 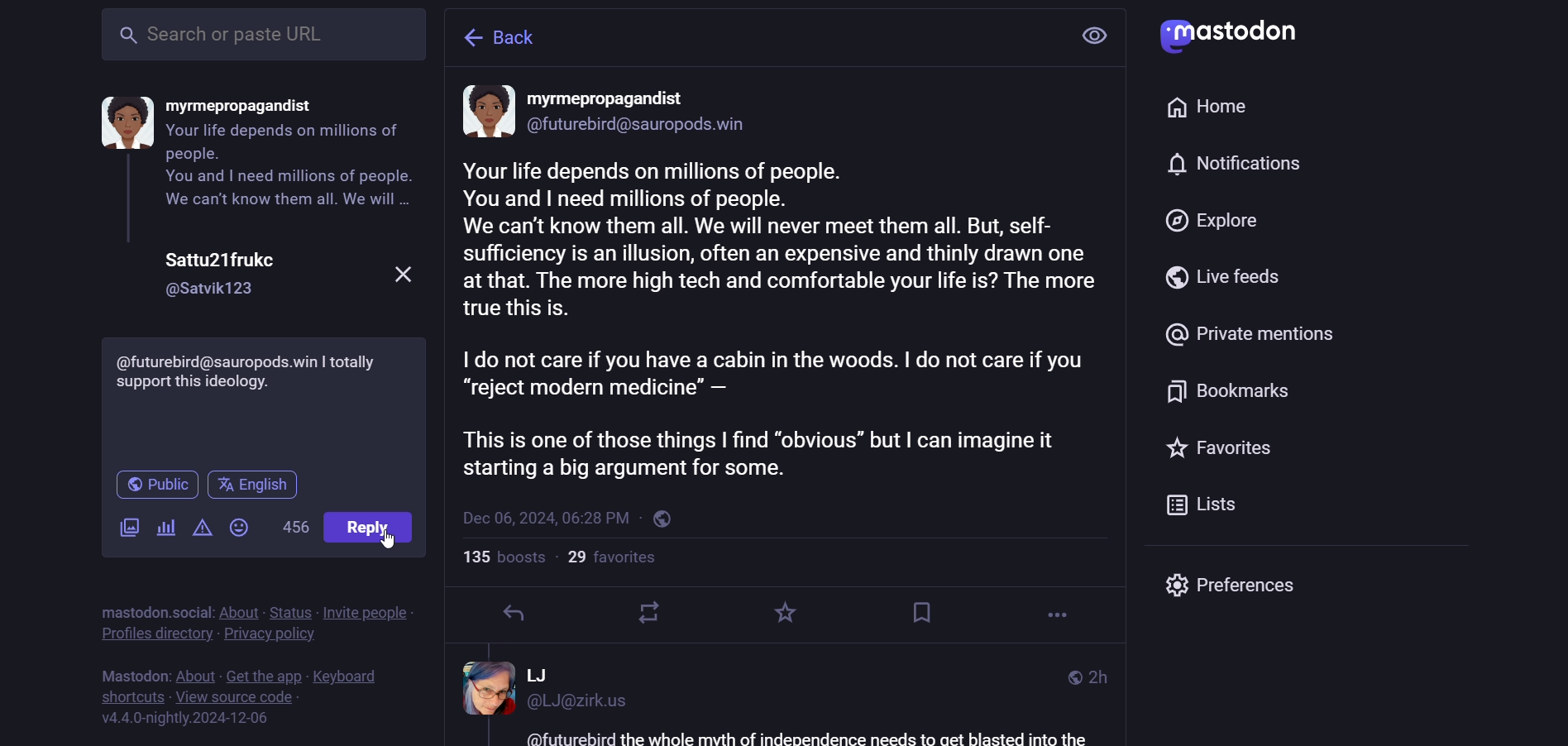 What do you see at coordinates (154, 485) in the screenshot?
I see `public` at bounding box center [154, 485].